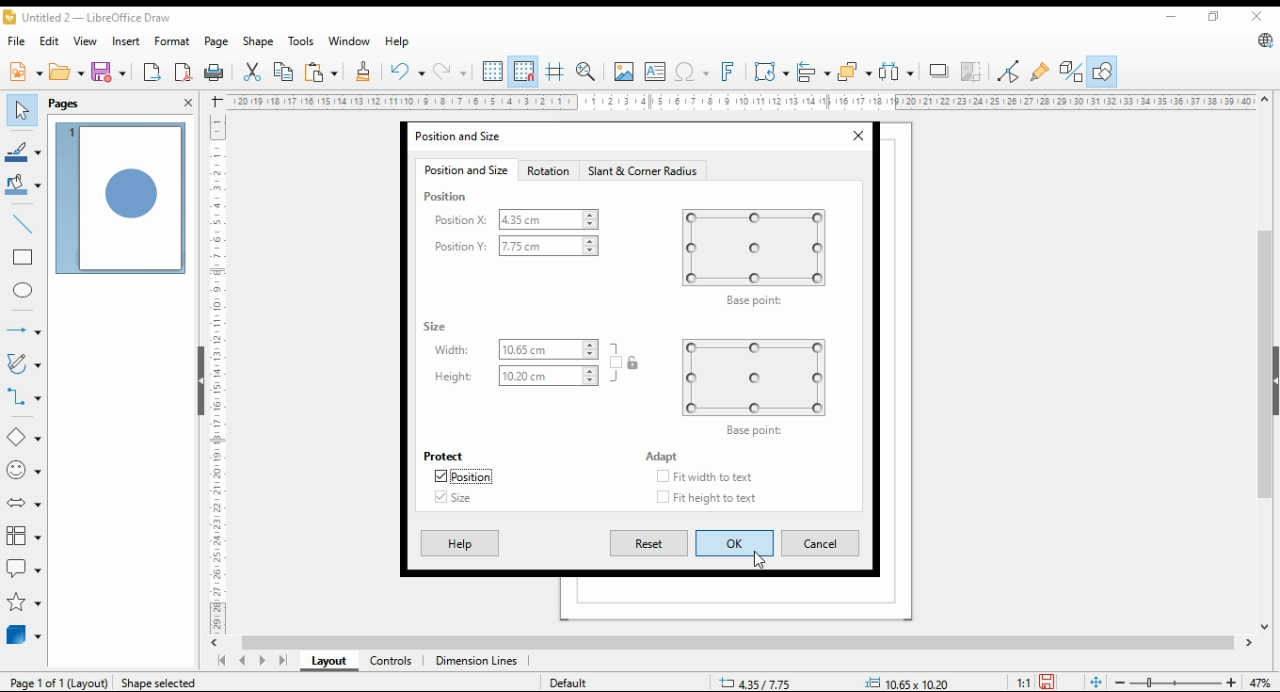  I want to click on page 1, so click(123, 199).